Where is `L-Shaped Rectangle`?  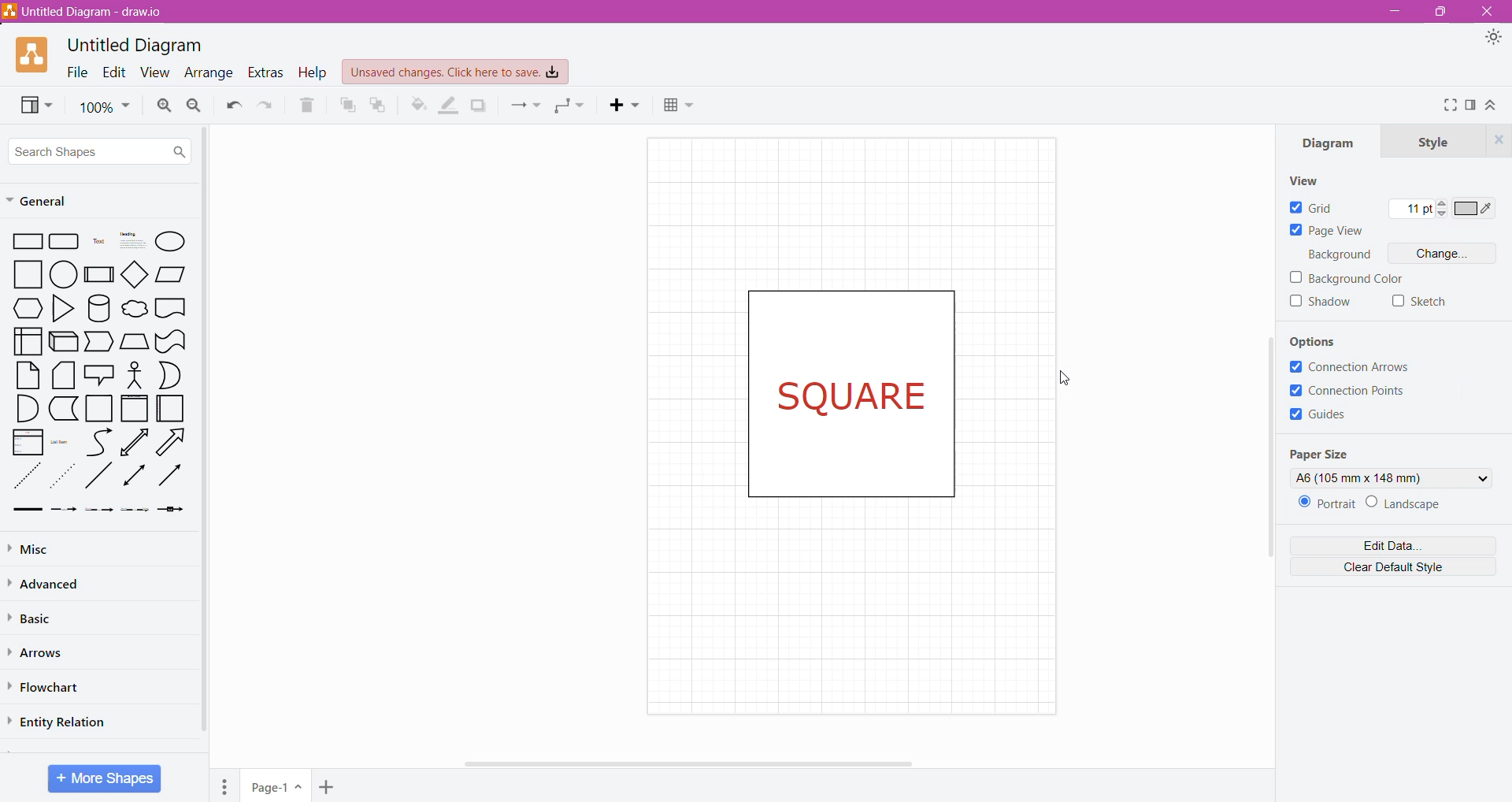
L-Shaped Rectangle is located at coordinates (61, 408).